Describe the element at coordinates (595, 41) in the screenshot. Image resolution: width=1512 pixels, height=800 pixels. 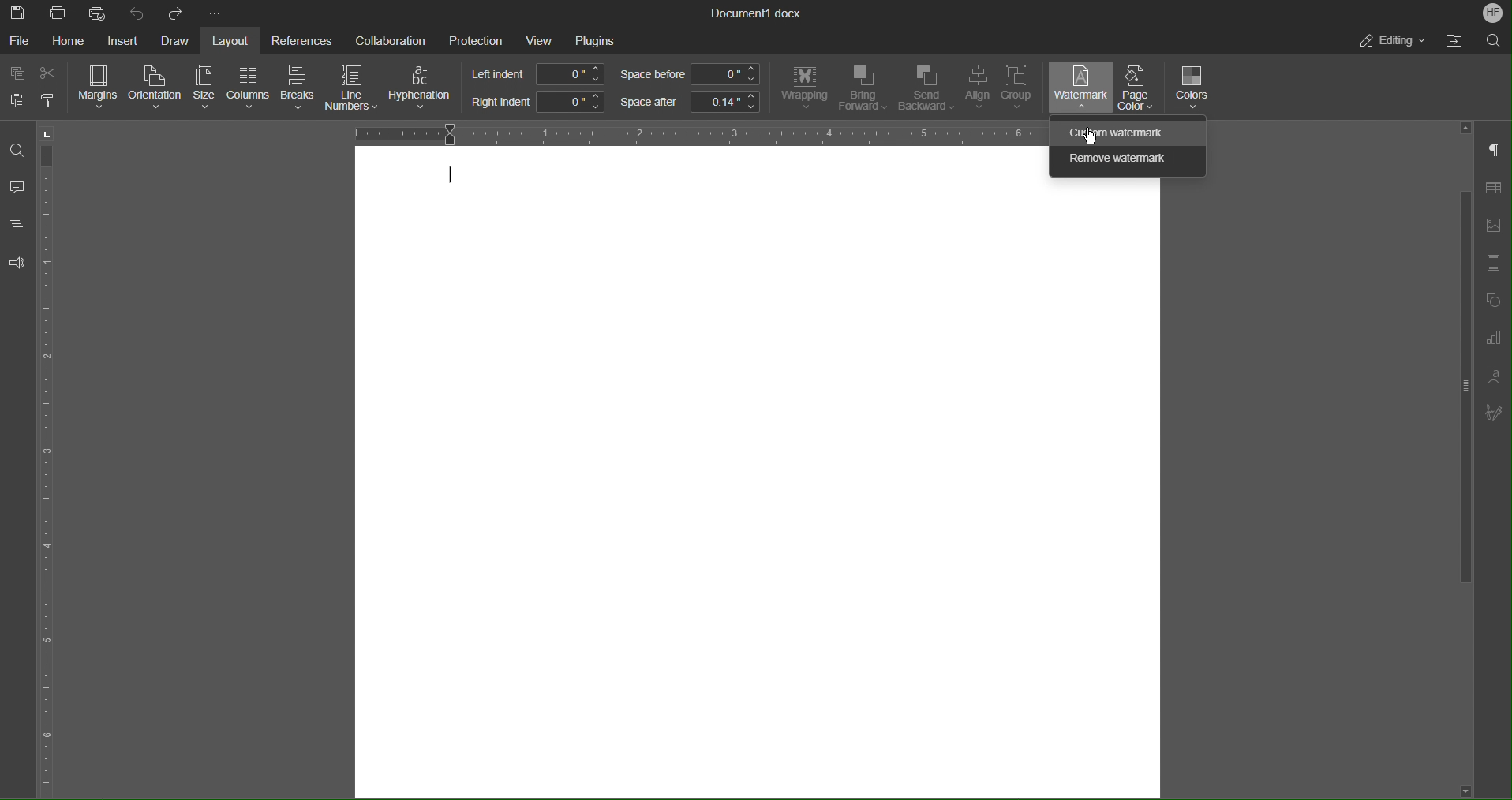
I see `Plugins` at that location.